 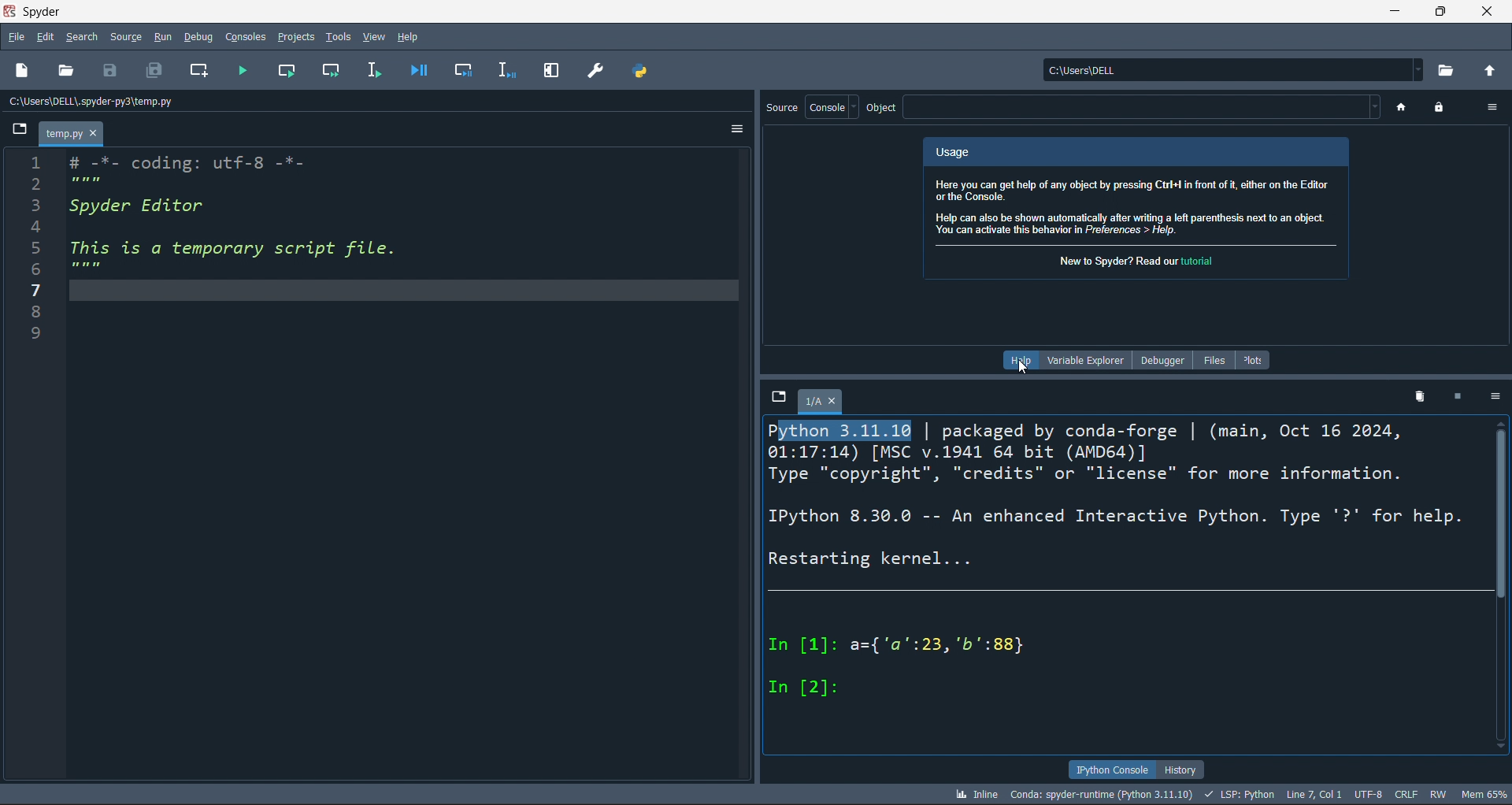 I want to click on Python 3.11.10 | packaged by conda-forge | (main, Oct 16 2024,
01:17:14) [MSC v.1941 64 bit (AMD64)]

Type "copyright", "credits" or "license" for more information.
IPython 8.30.0 -- An enhanced Interactive Python. Type '?* for help.
Restarting kernel...

In [1]: a={'a':23, 'b"':88}

In [2]:, so click(x=1114, y=571).